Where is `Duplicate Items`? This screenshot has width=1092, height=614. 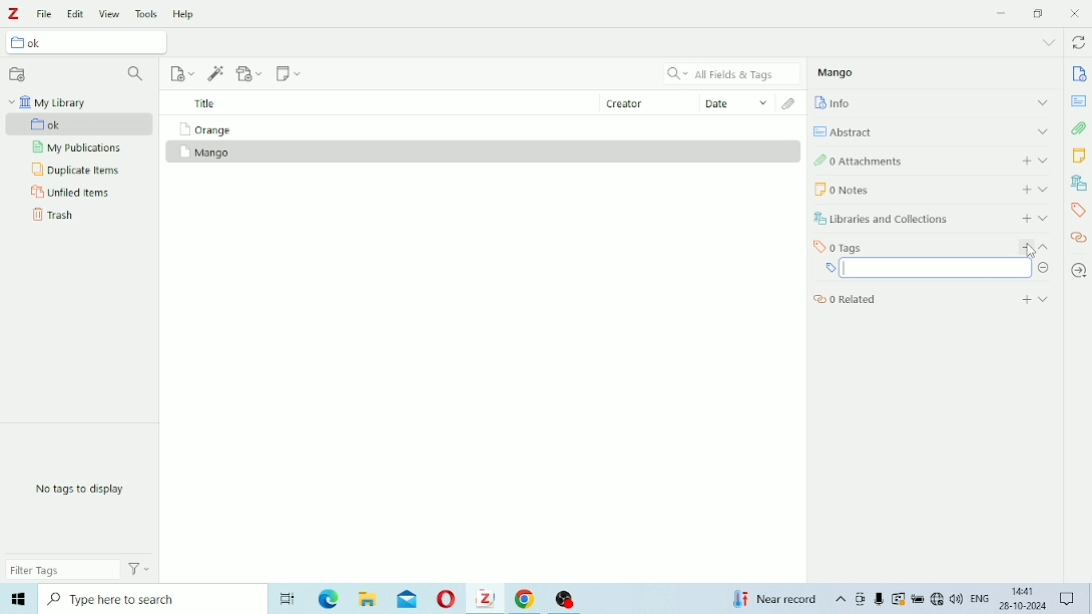 Duplicate Items is located at coordinates (75, 170).